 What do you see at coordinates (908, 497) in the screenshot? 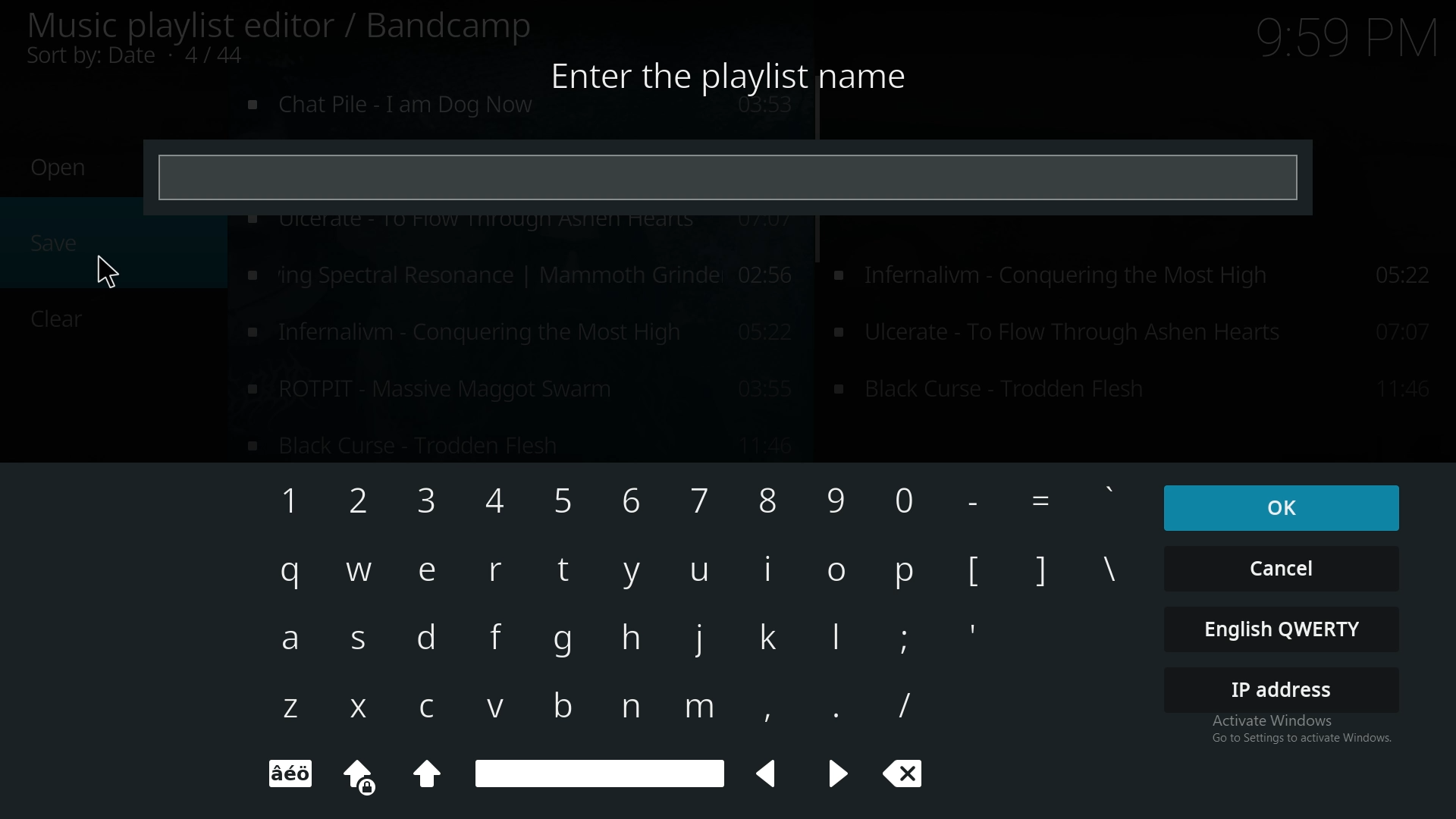
I see `keyboard input` at bounding box center [908, 497].